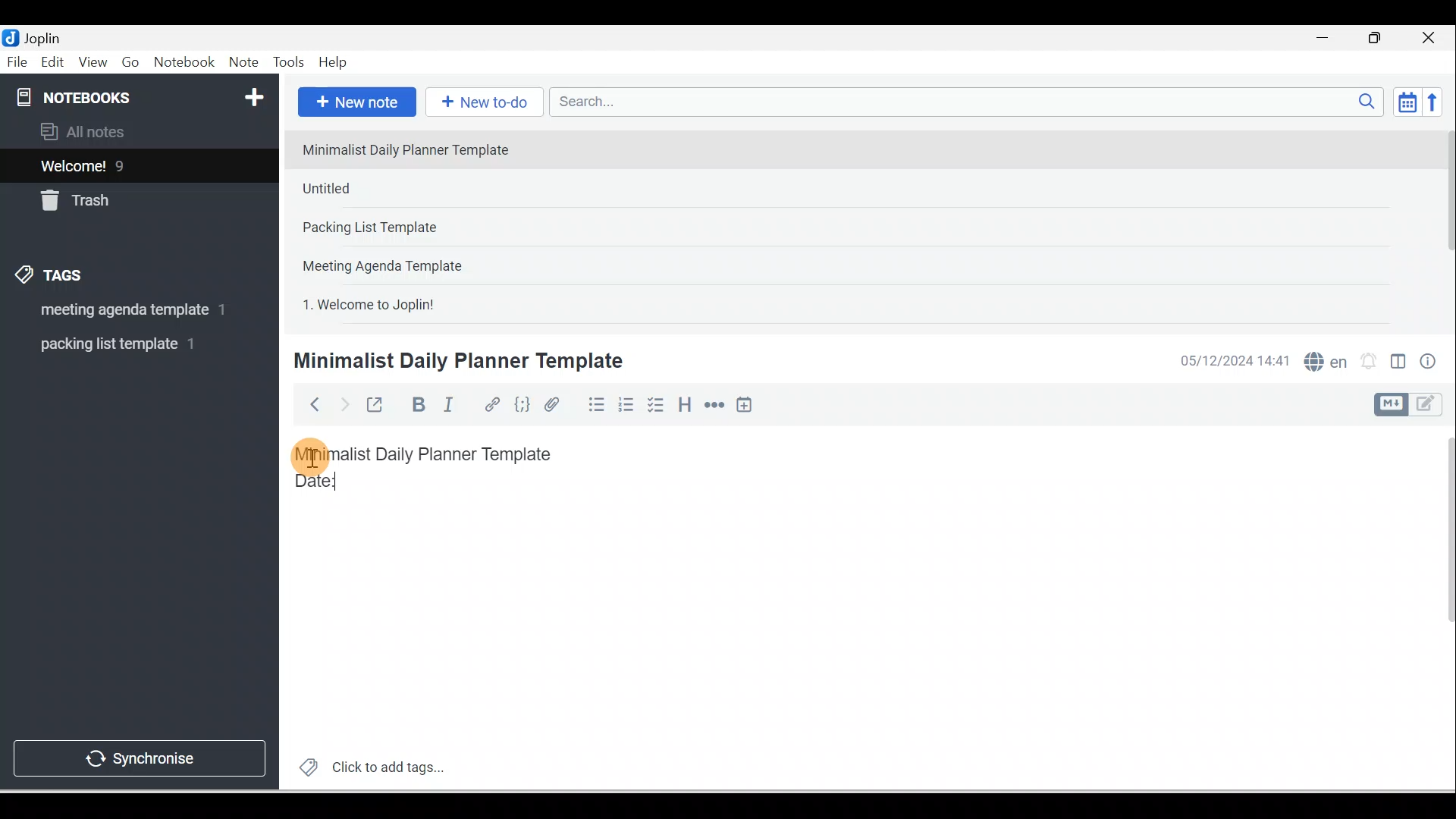  What do you see at coordinates (1429, 363) in the screenshot?
I see `Note properties` at bounding box center [1429, 363].